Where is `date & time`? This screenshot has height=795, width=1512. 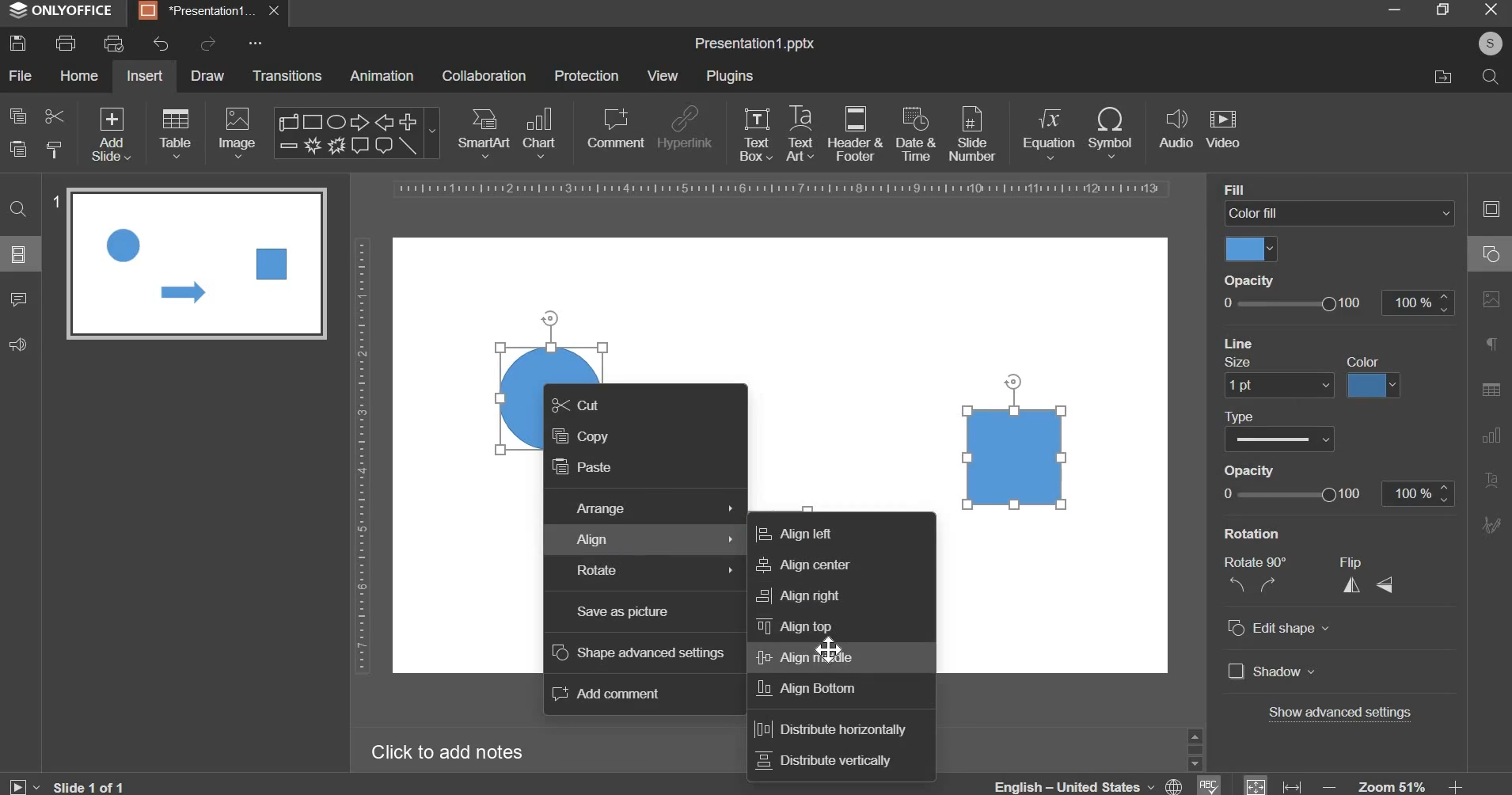 date & time is located at coordinates (916, 134).